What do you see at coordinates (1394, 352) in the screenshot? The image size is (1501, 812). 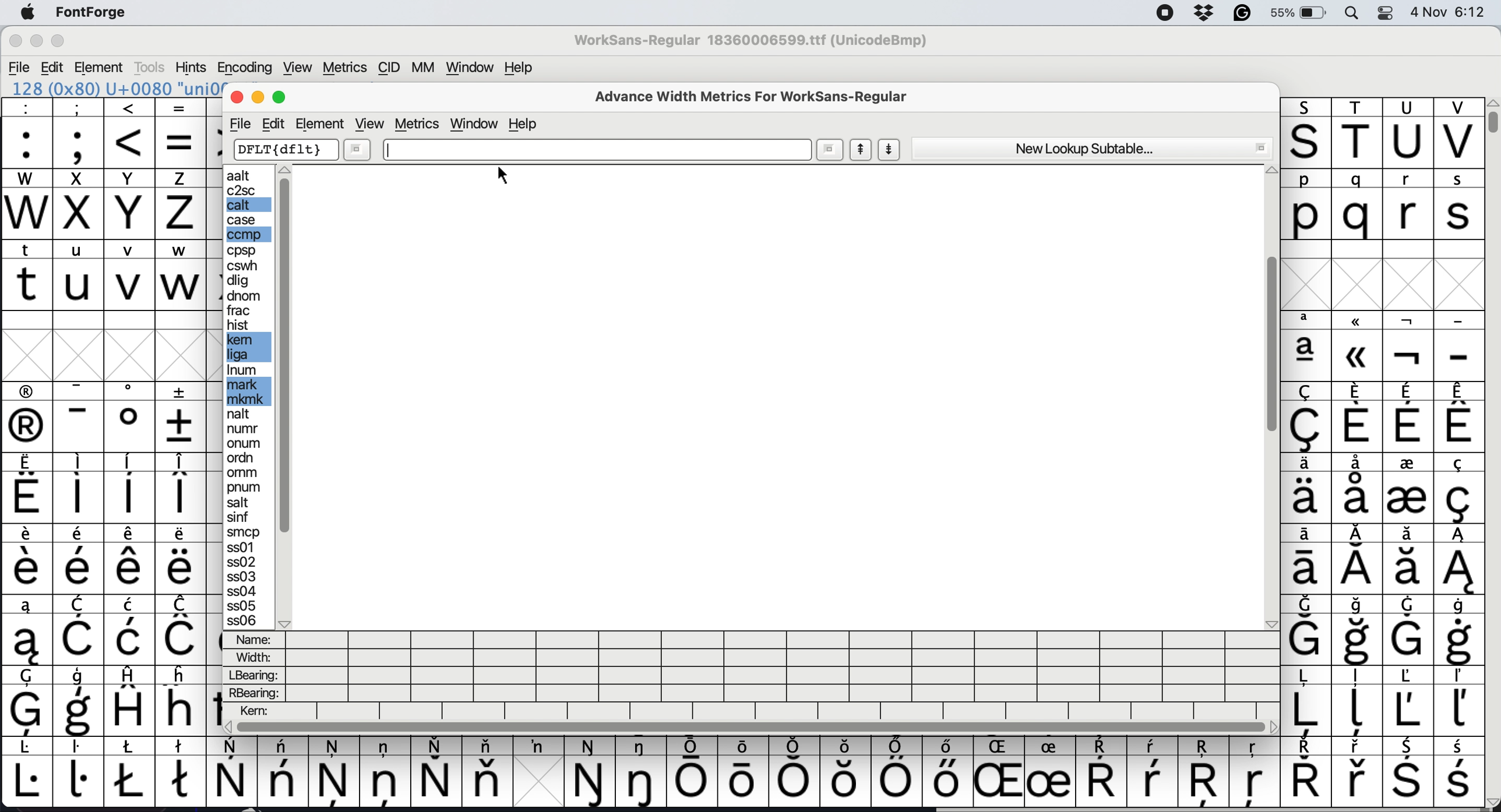 I see `special characters` at bounding box center [1394, 352].